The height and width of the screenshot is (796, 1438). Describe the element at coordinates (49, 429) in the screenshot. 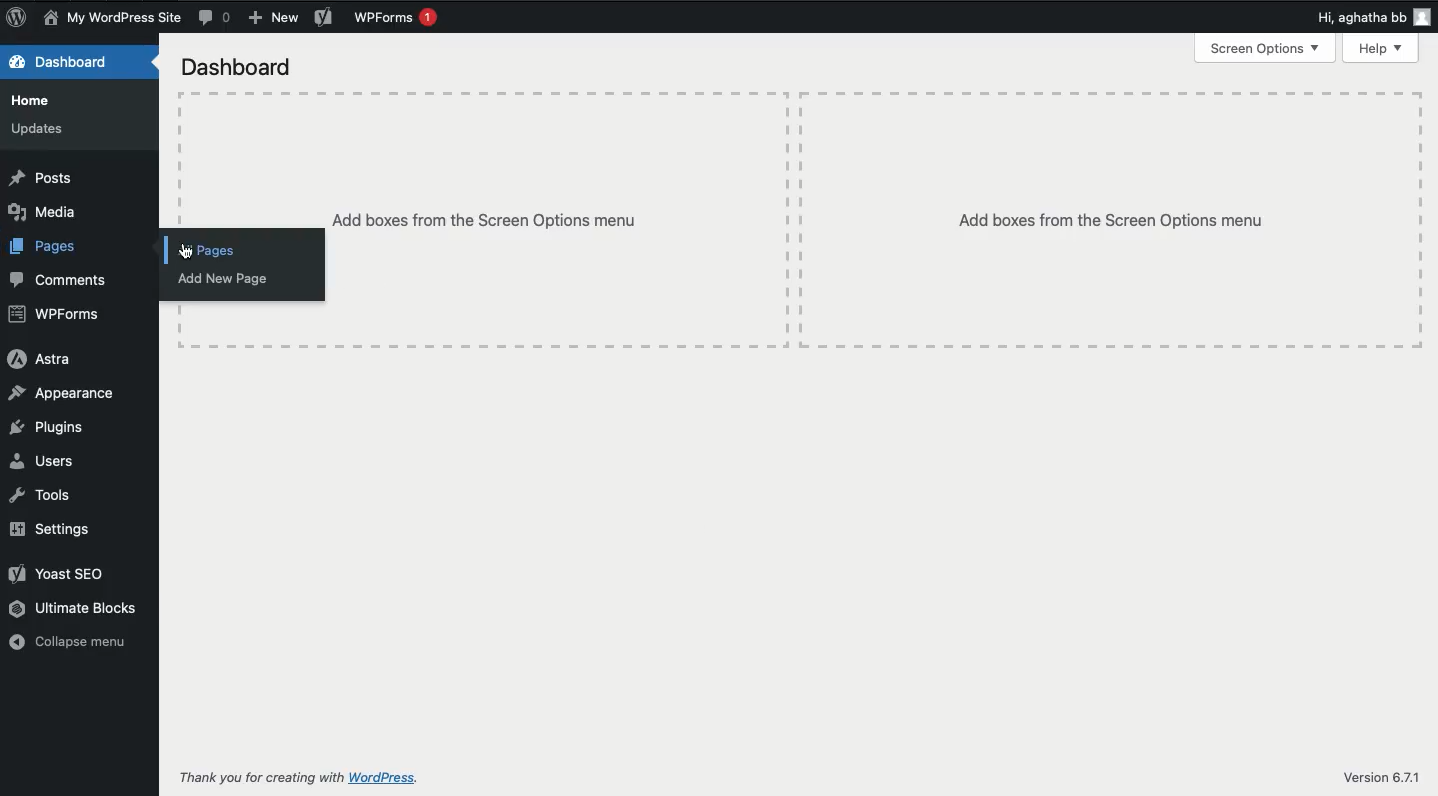

I see `Plugins` at that location.